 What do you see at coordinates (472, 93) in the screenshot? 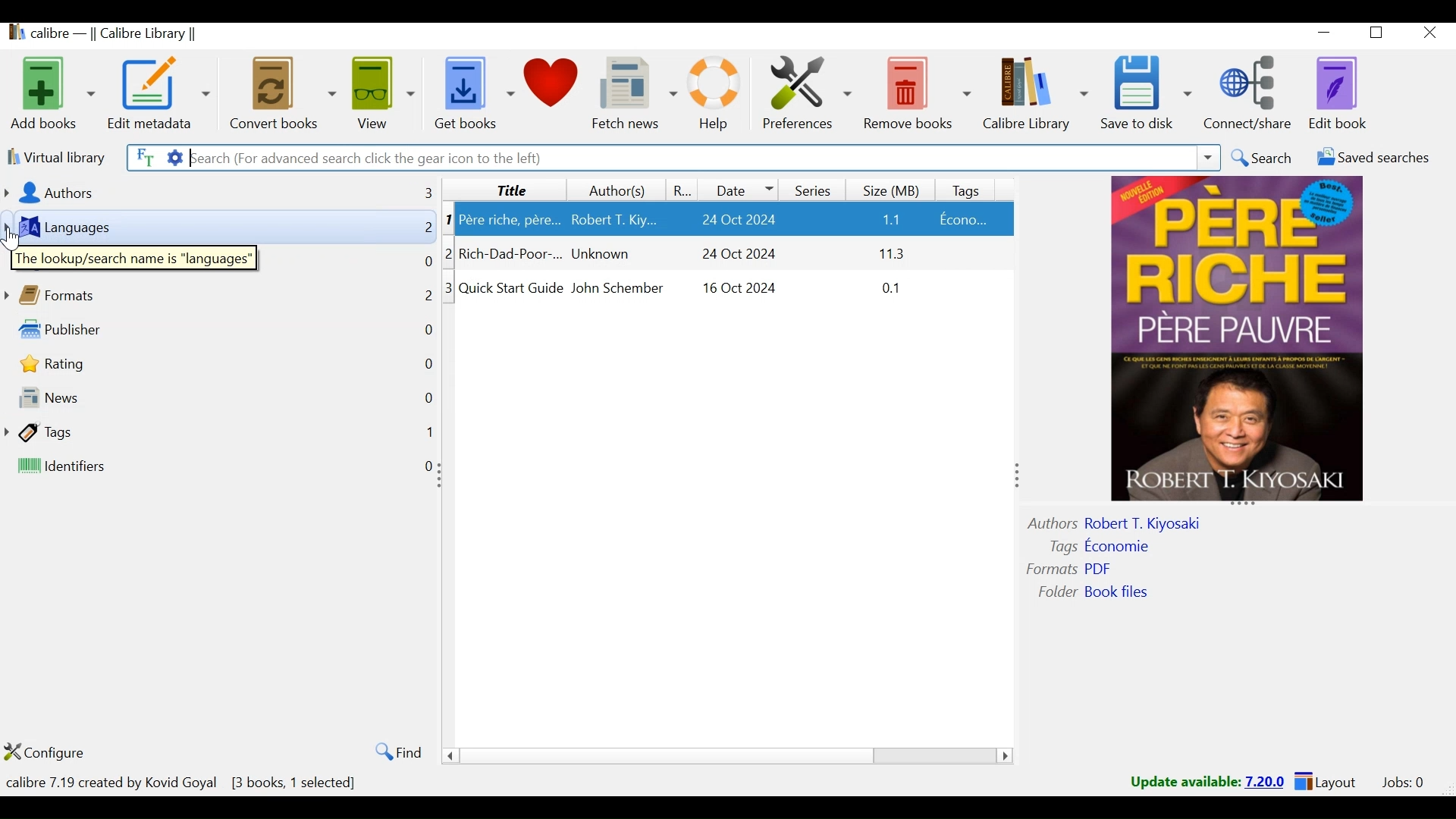
I see `Get books` at bounding box center [472, 93].